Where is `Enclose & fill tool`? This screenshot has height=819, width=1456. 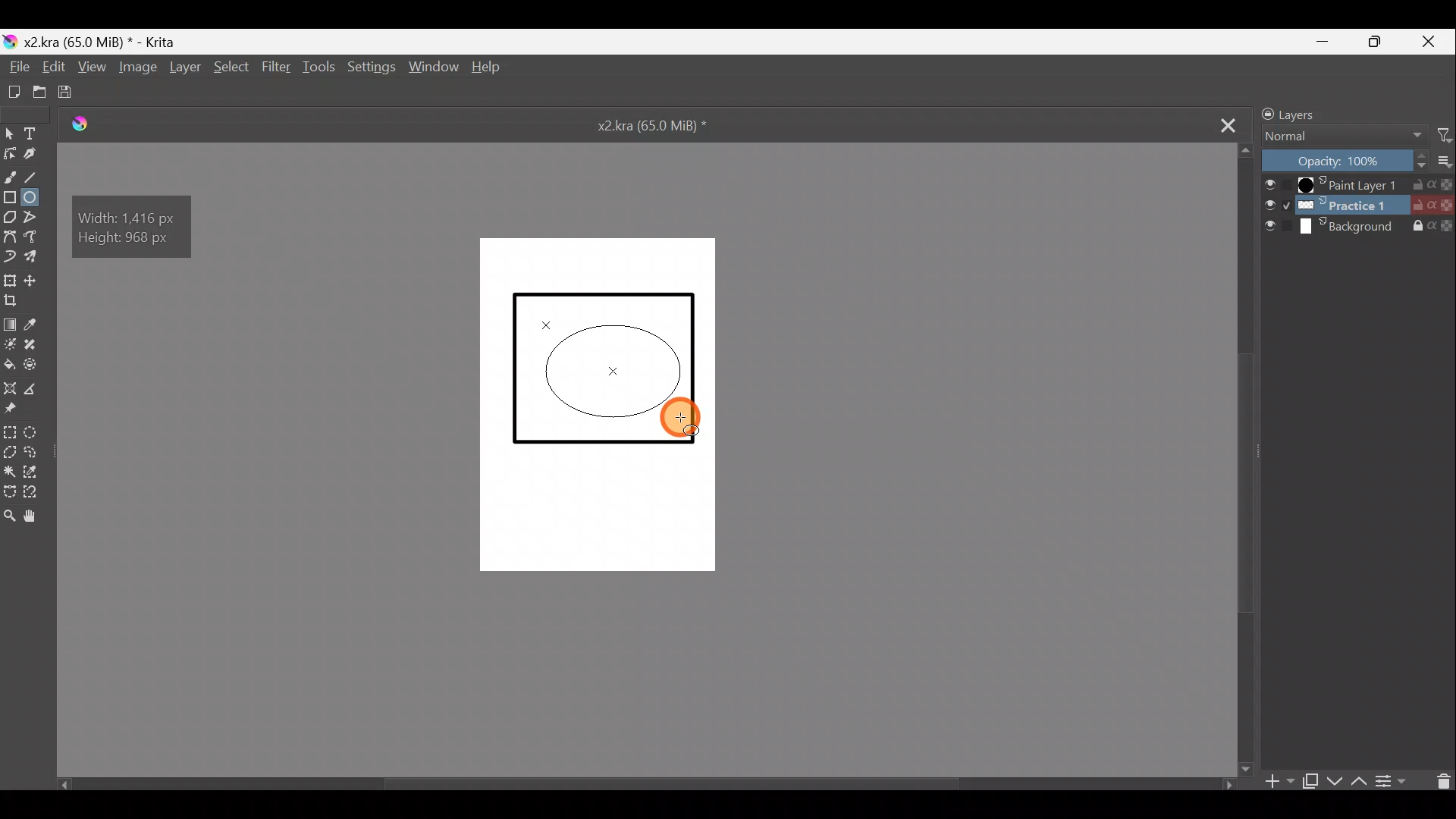
Enclose & fill tool is located at coordinates (34, 365).